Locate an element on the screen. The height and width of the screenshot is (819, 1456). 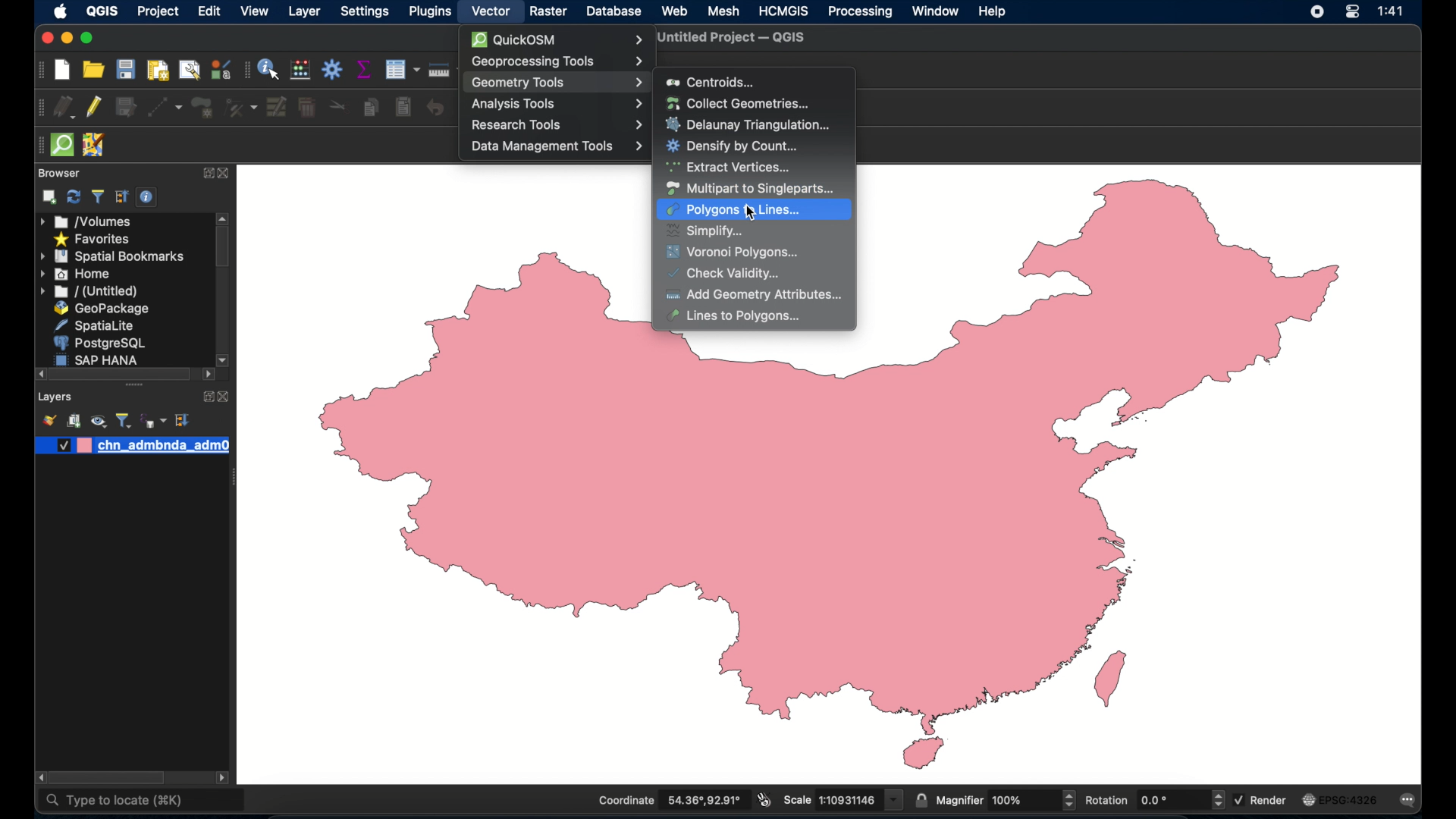
time is located at coordinates (1394, 11).